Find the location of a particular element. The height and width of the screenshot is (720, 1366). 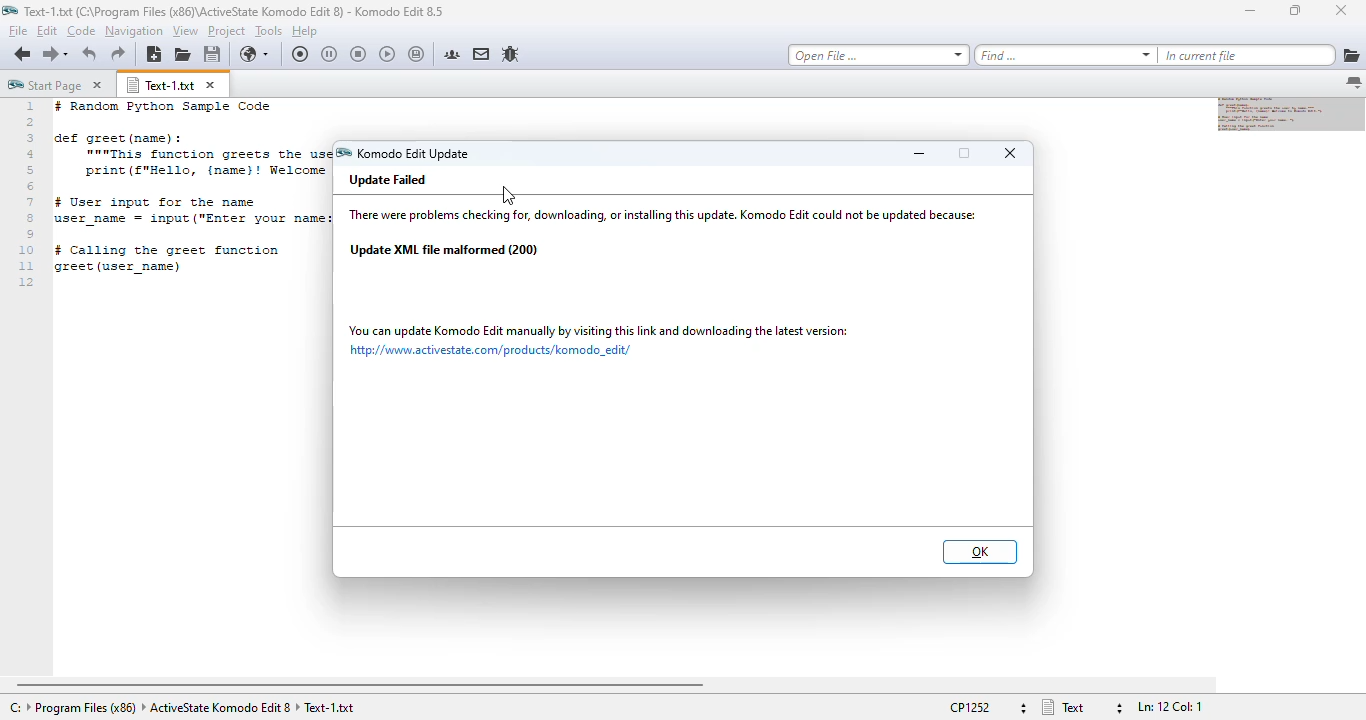

tools is located at coordinates (269, 31).